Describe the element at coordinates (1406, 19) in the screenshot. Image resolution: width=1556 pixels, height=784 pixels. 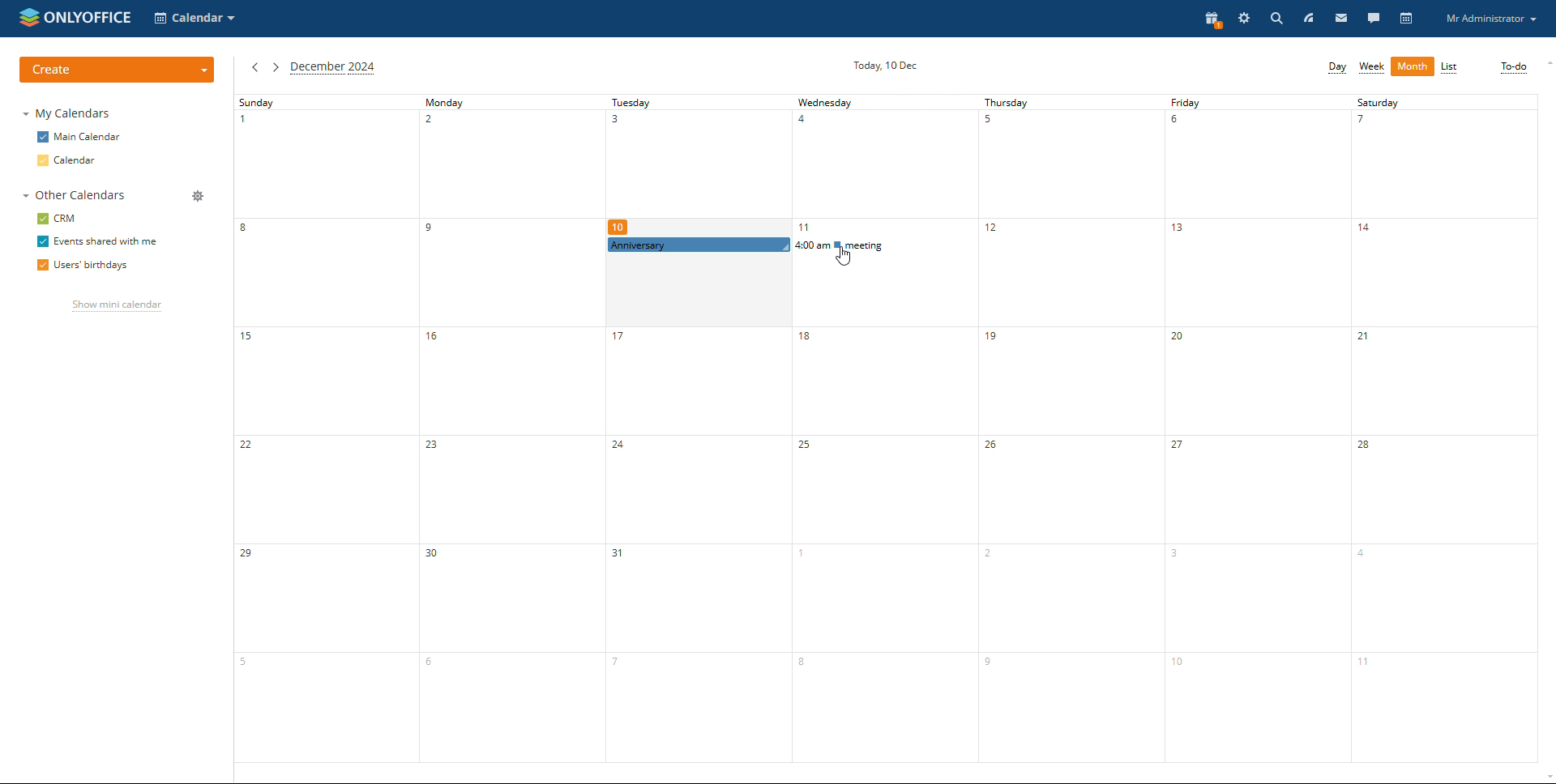
I see `calendar` at that location.